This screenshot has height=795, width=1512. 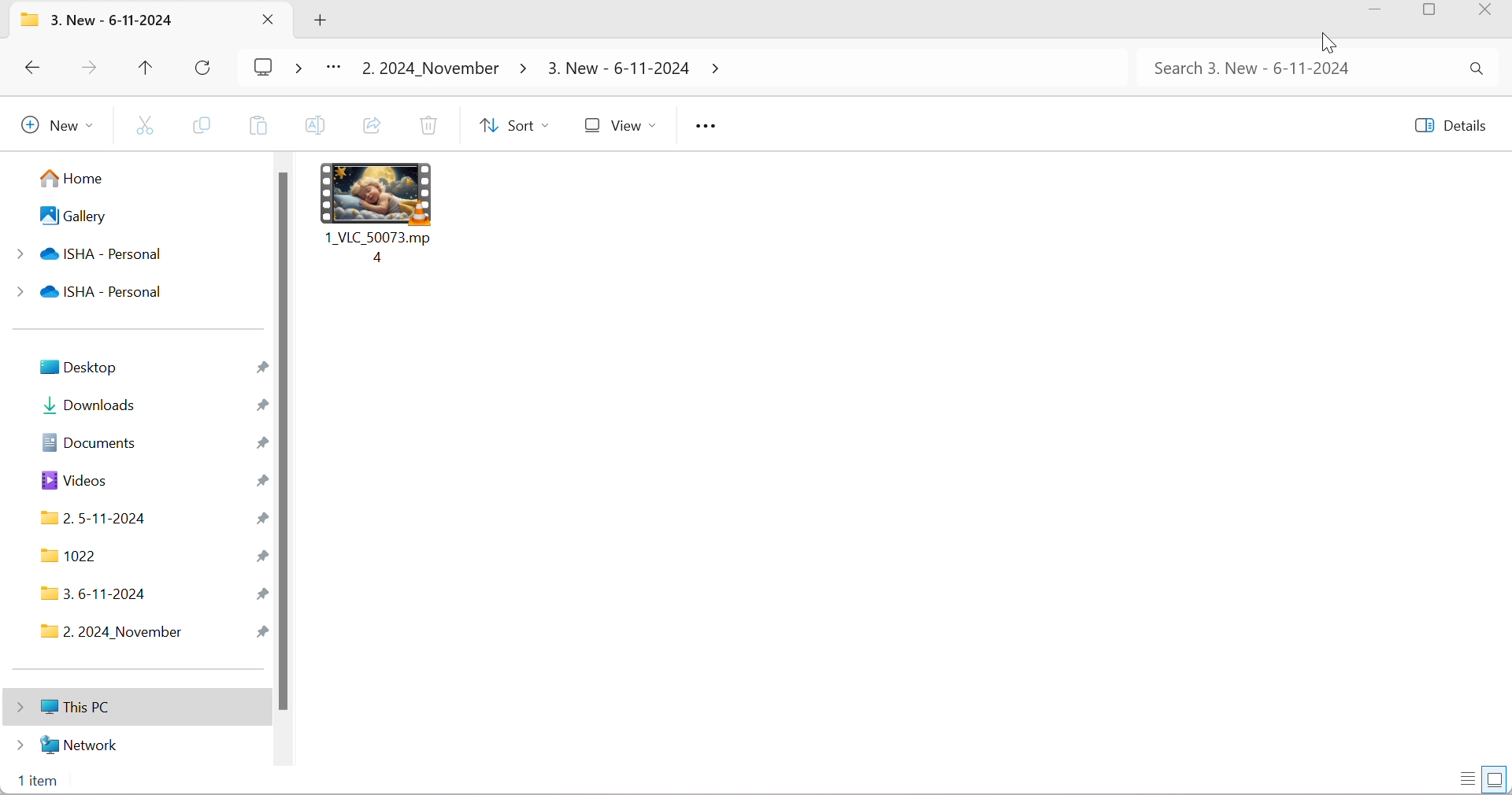 What do you see at coordinates (261, 556) in the screenshot?
I see `Pin` at bounding box center [261, 556].